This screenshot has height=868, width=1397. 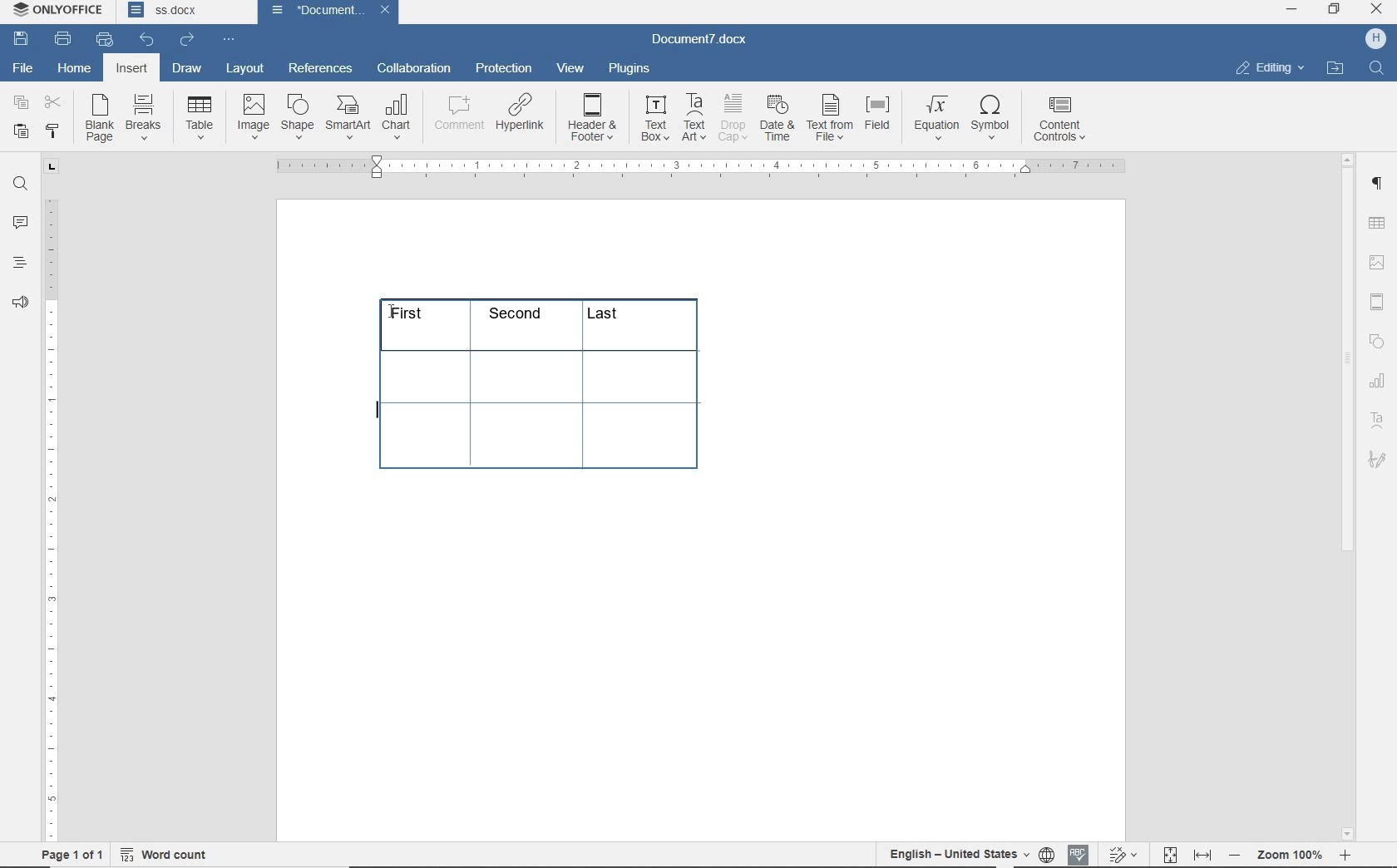 What do you see at coordinates (399, 118) in the screenshot?
I see `chart` at bounding box center [399, 118].